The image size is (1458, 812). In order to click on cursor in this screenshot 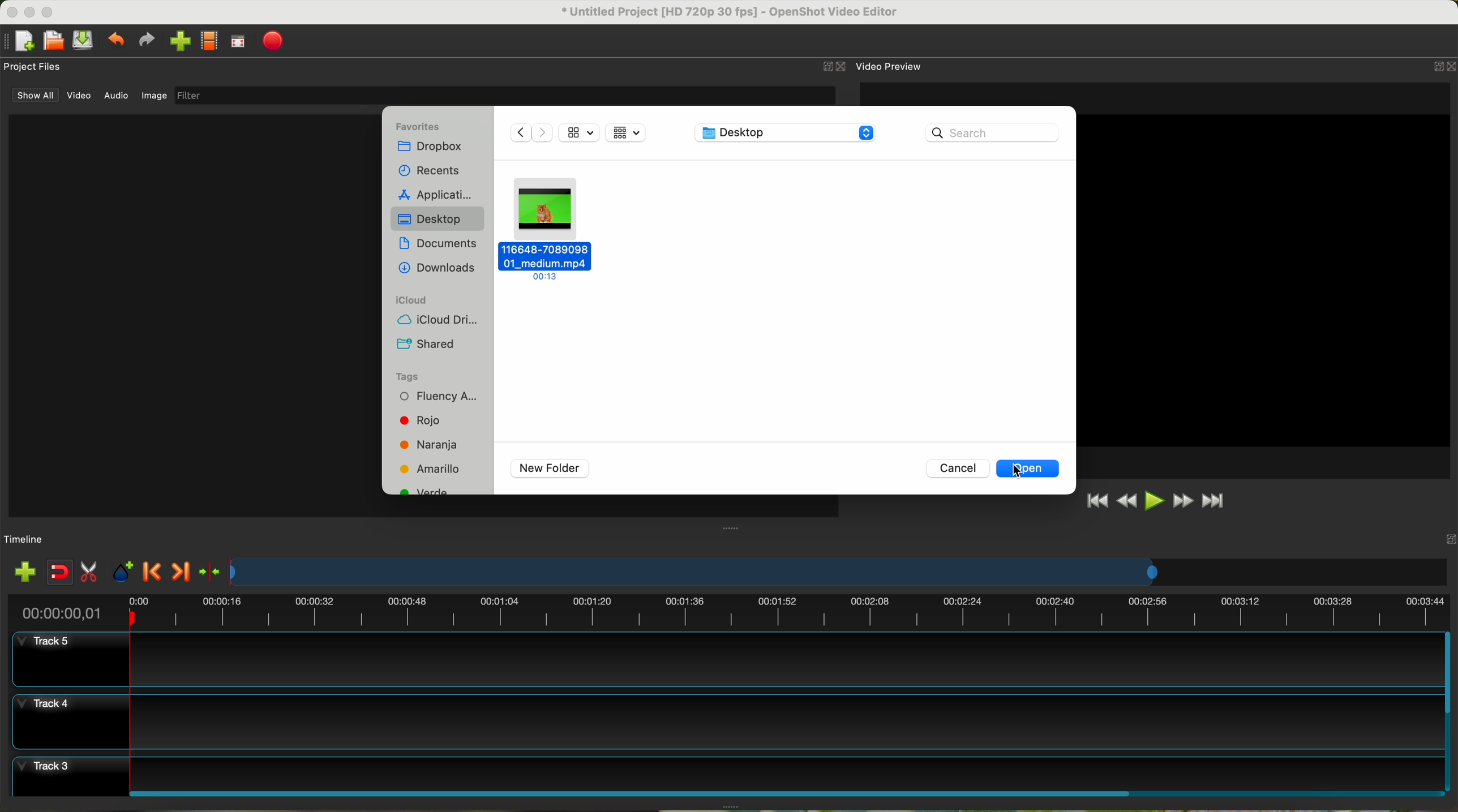, I will do `click(1020, 470)`.